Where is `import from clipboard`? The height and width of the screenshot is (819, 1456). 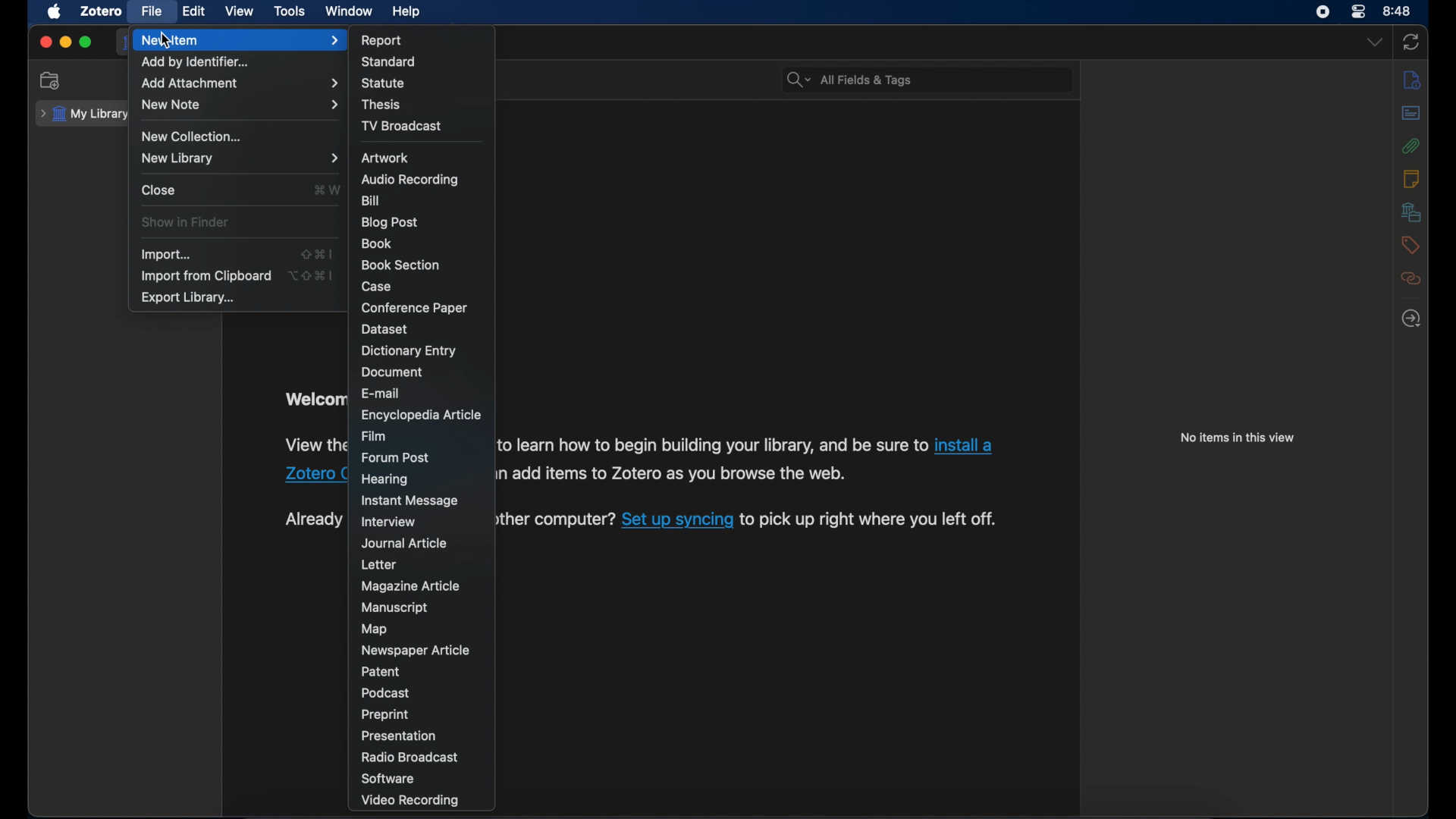 import from clipboard is located at coordinates (205, 275).